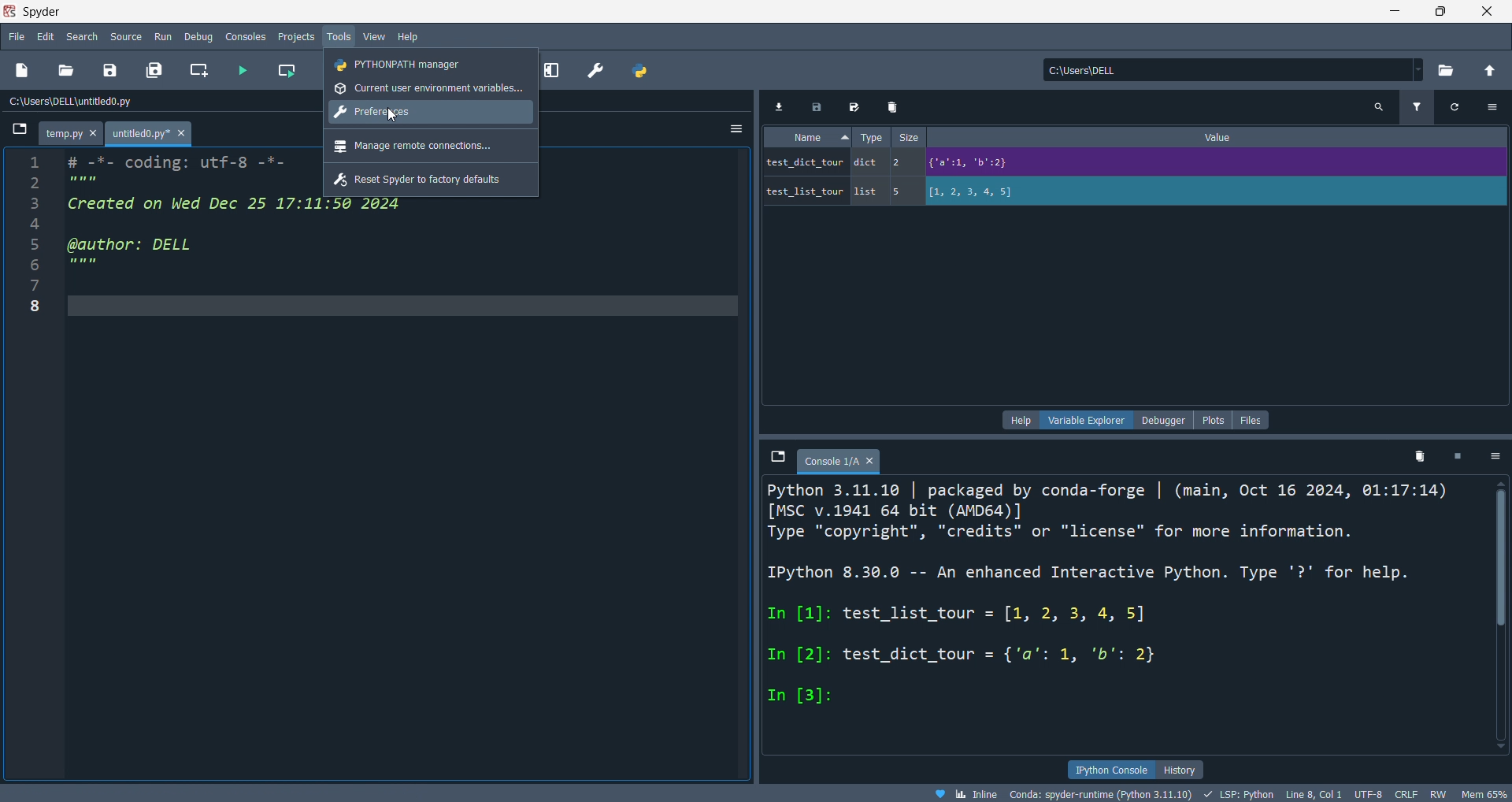 This screenshot has width=1512, height=802. What do you see at coordinates (1319, 793) in the screenshot?
I see `Line 8, Col 1` at bounding box center [1319, 793].